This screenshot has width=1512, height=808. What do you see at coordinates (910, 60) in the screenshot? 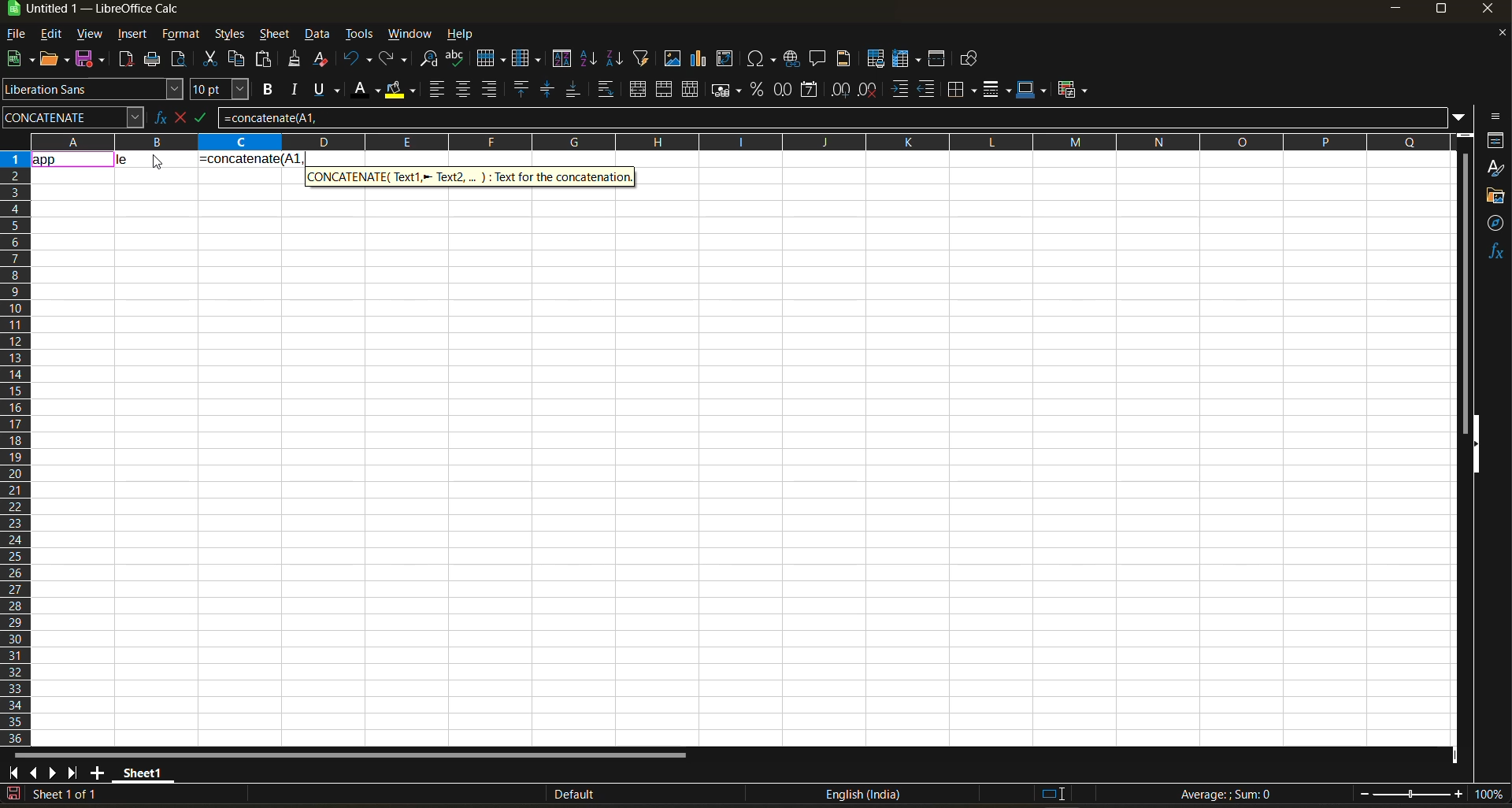
I see `freeze rows and columns` at bounding box center [910, 60].